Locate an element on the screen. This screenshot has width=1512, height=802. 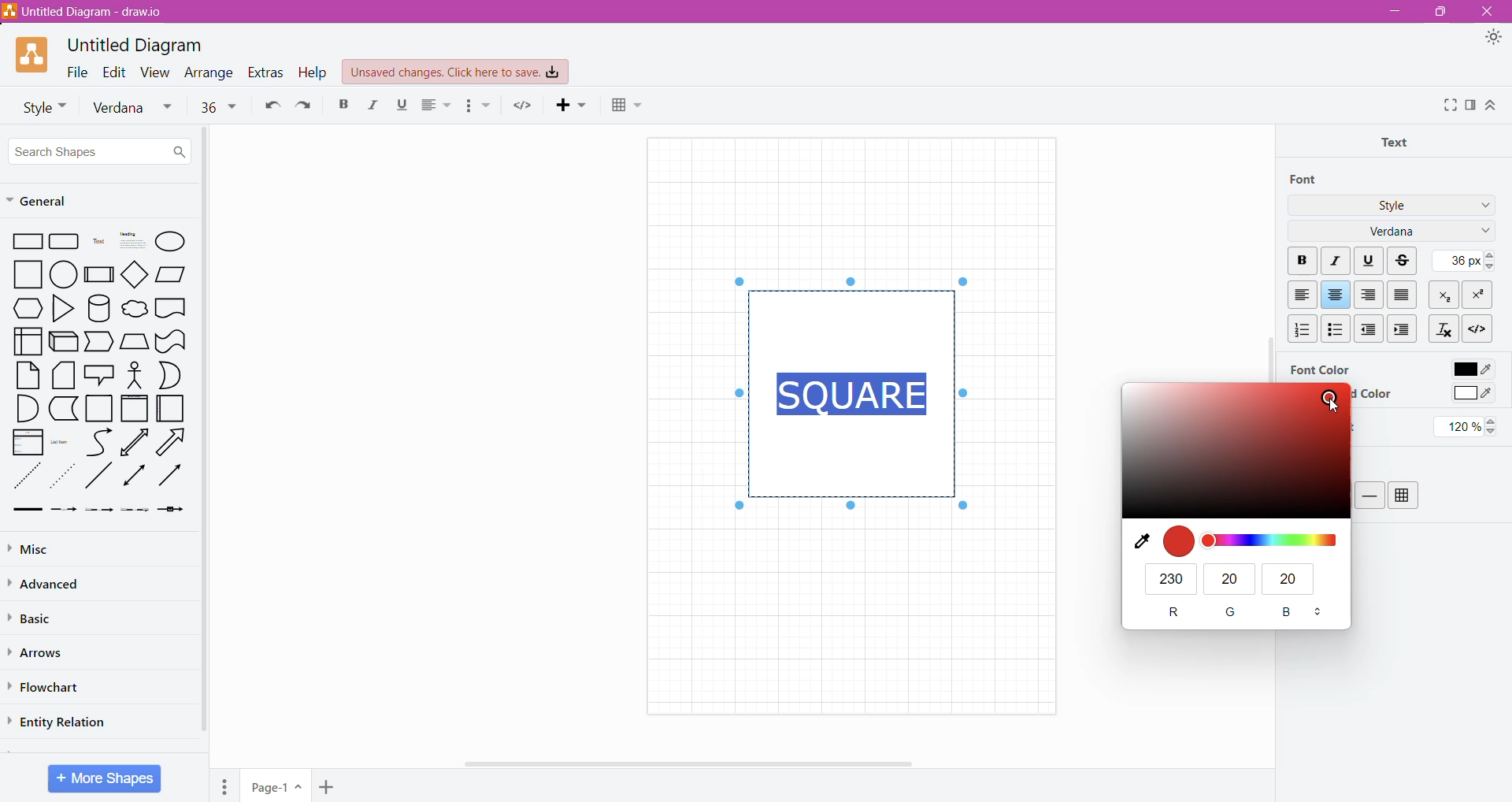
Dotted Arrow  is located at coordinates (135, 510).